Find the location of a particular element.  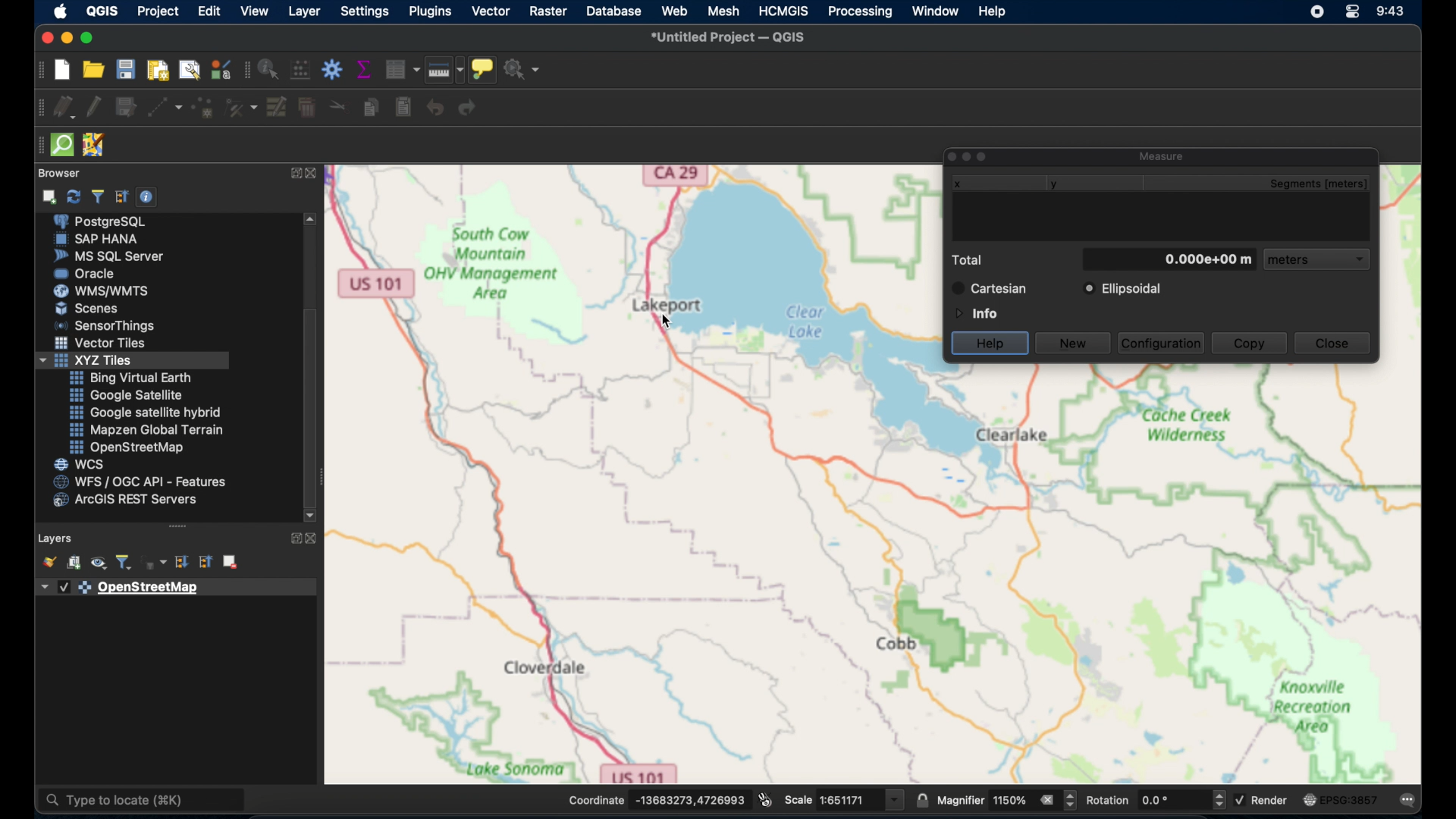

google satellite hybrid is located at coordinates (146, 412).